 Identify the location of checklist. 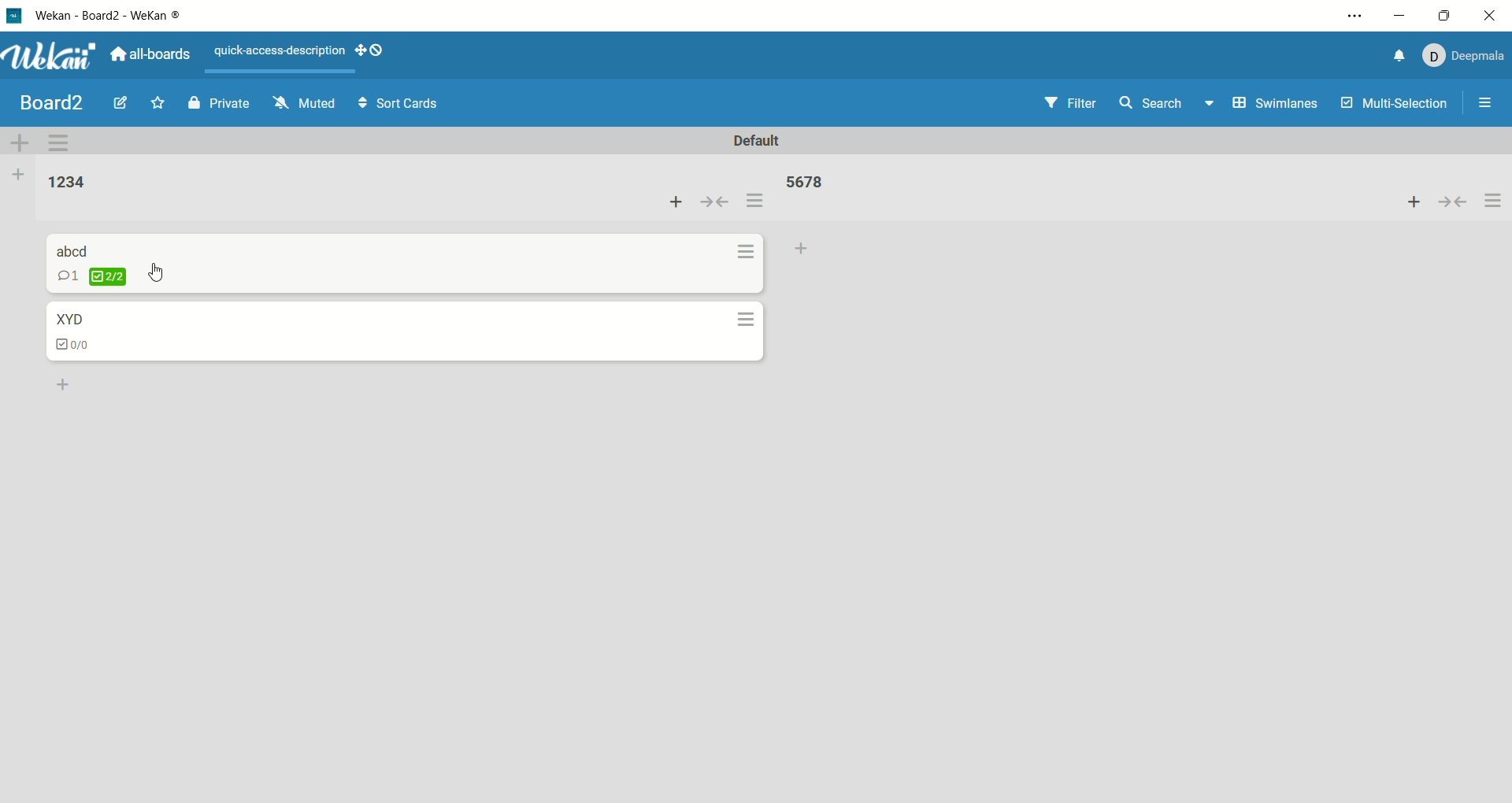
(108, 277).